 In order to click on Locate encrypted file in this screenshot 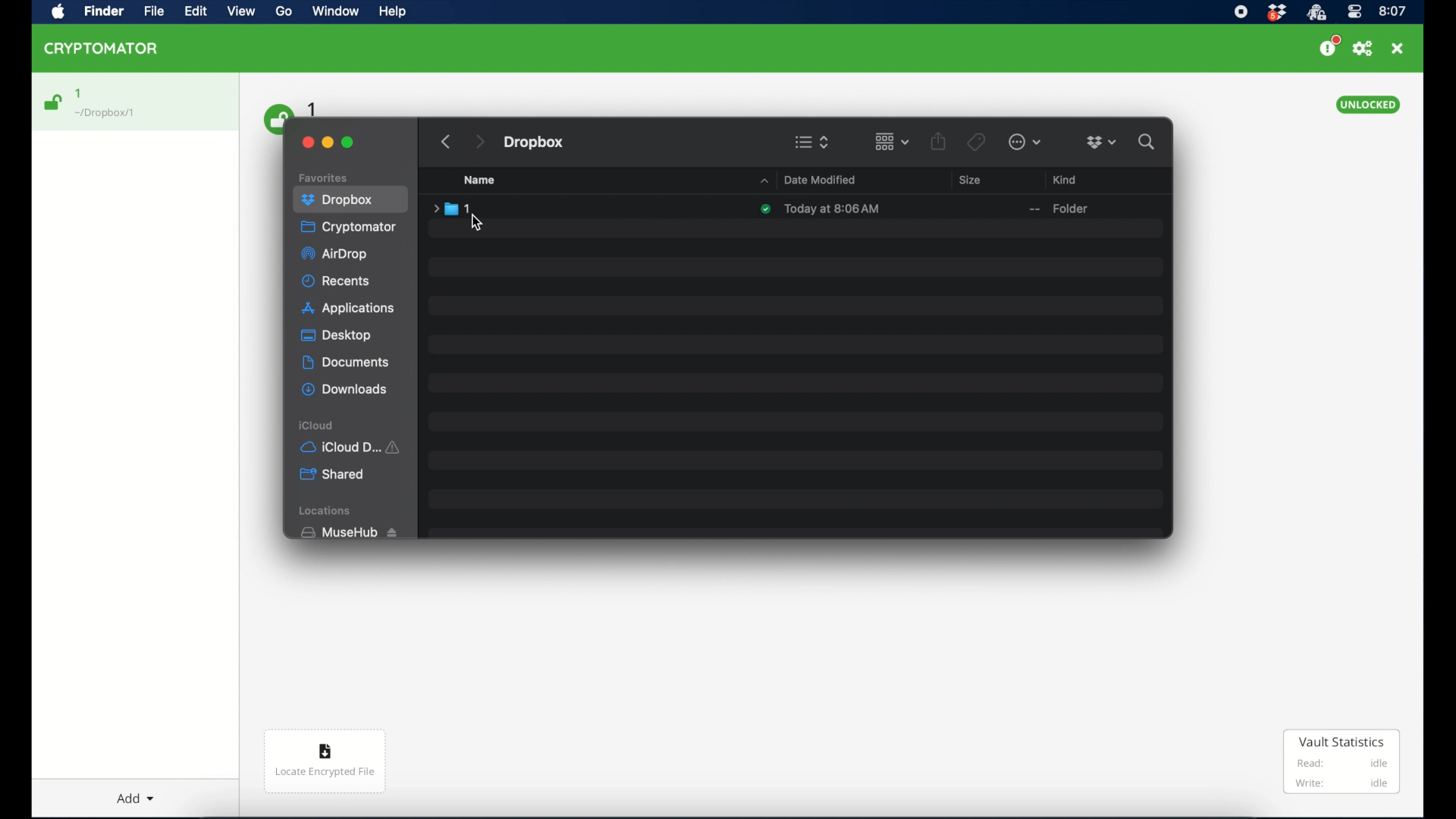, I will do `click(326, 764)`.